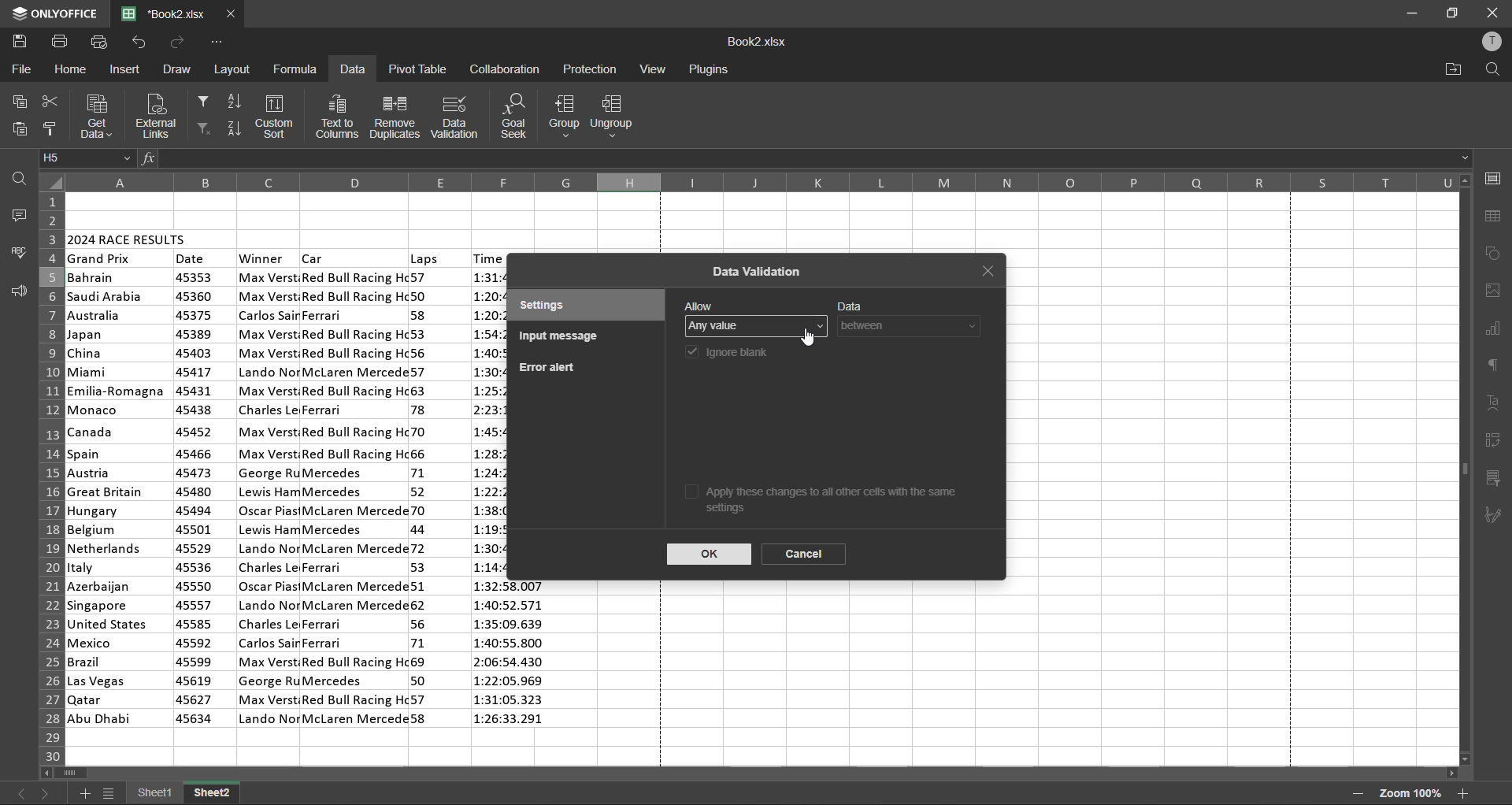 The image size is (1512, 805). I want to click on winner, so click(269, 497).